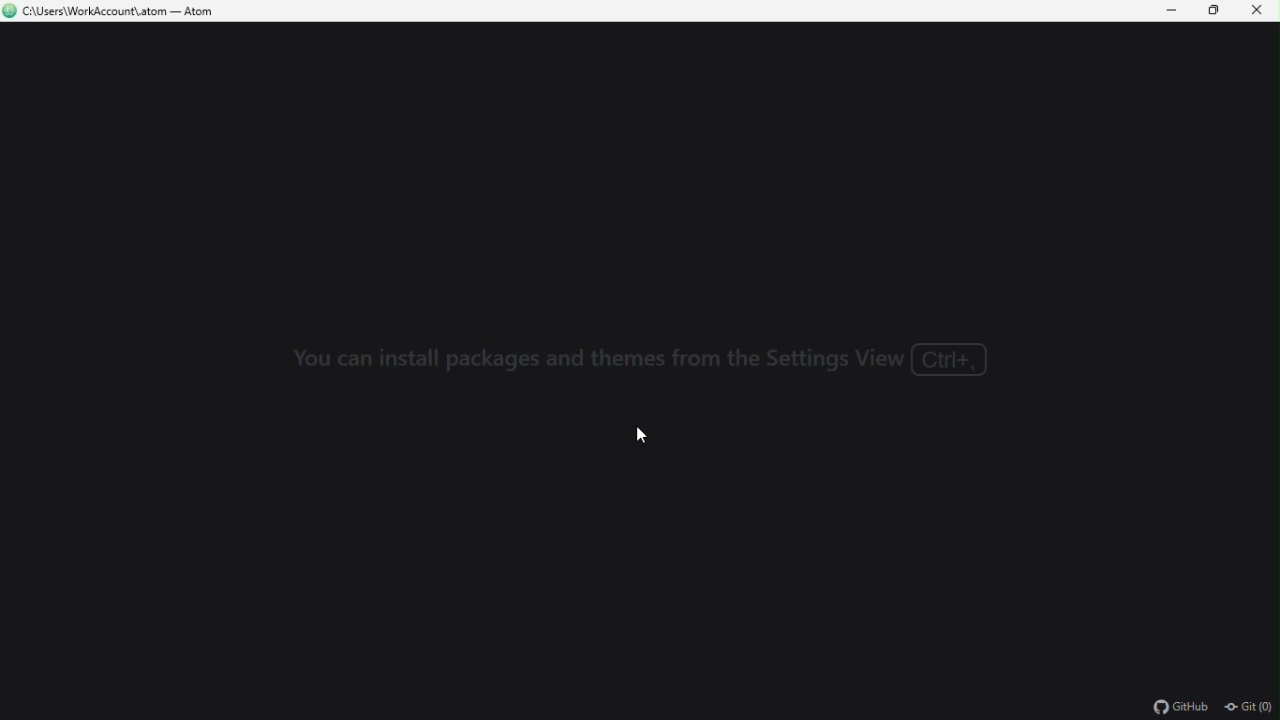  What do you see at coordinates (1166, 12) in the screenshot?
I see `Minimize` at bounding box center [1166, 12].